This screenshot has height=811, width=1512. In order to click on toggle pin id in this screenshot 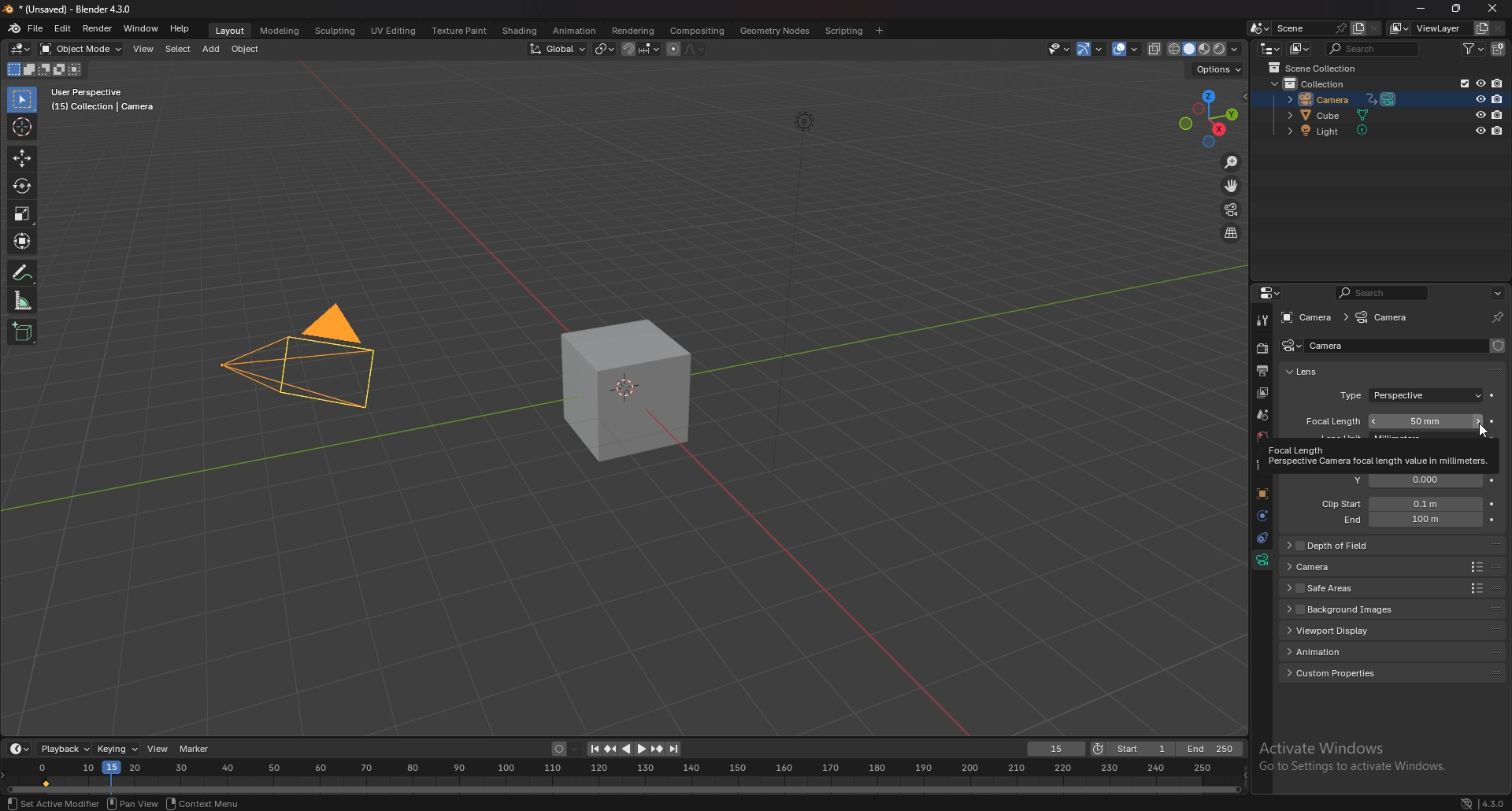, I will do `click(1495, 318)`.